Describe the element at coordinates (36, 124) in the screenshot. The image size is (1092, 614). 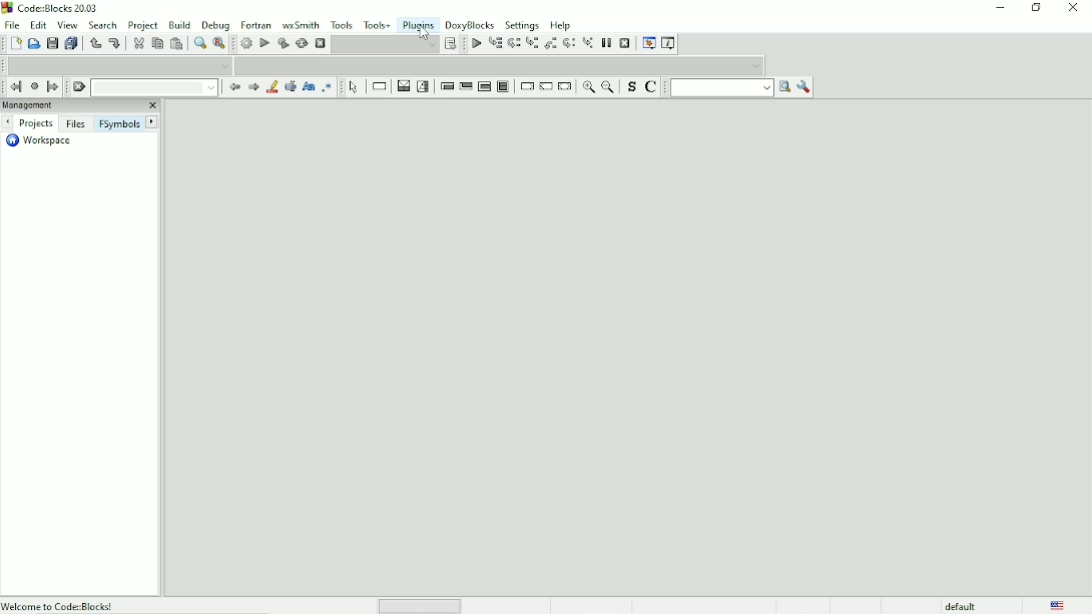
I see `Projects` at that location.